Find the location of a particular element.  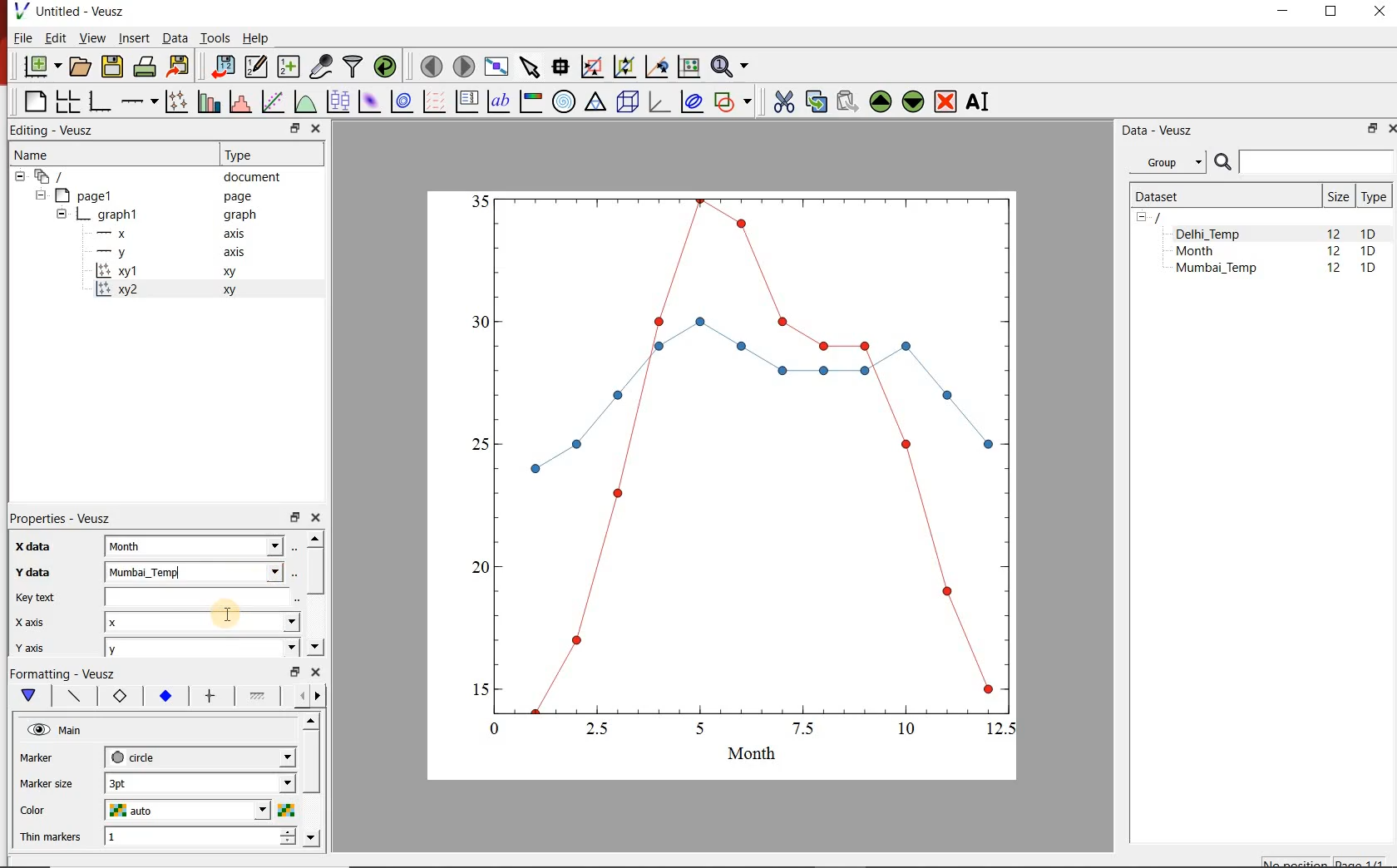

blank page is located at coordinates (32, 101).